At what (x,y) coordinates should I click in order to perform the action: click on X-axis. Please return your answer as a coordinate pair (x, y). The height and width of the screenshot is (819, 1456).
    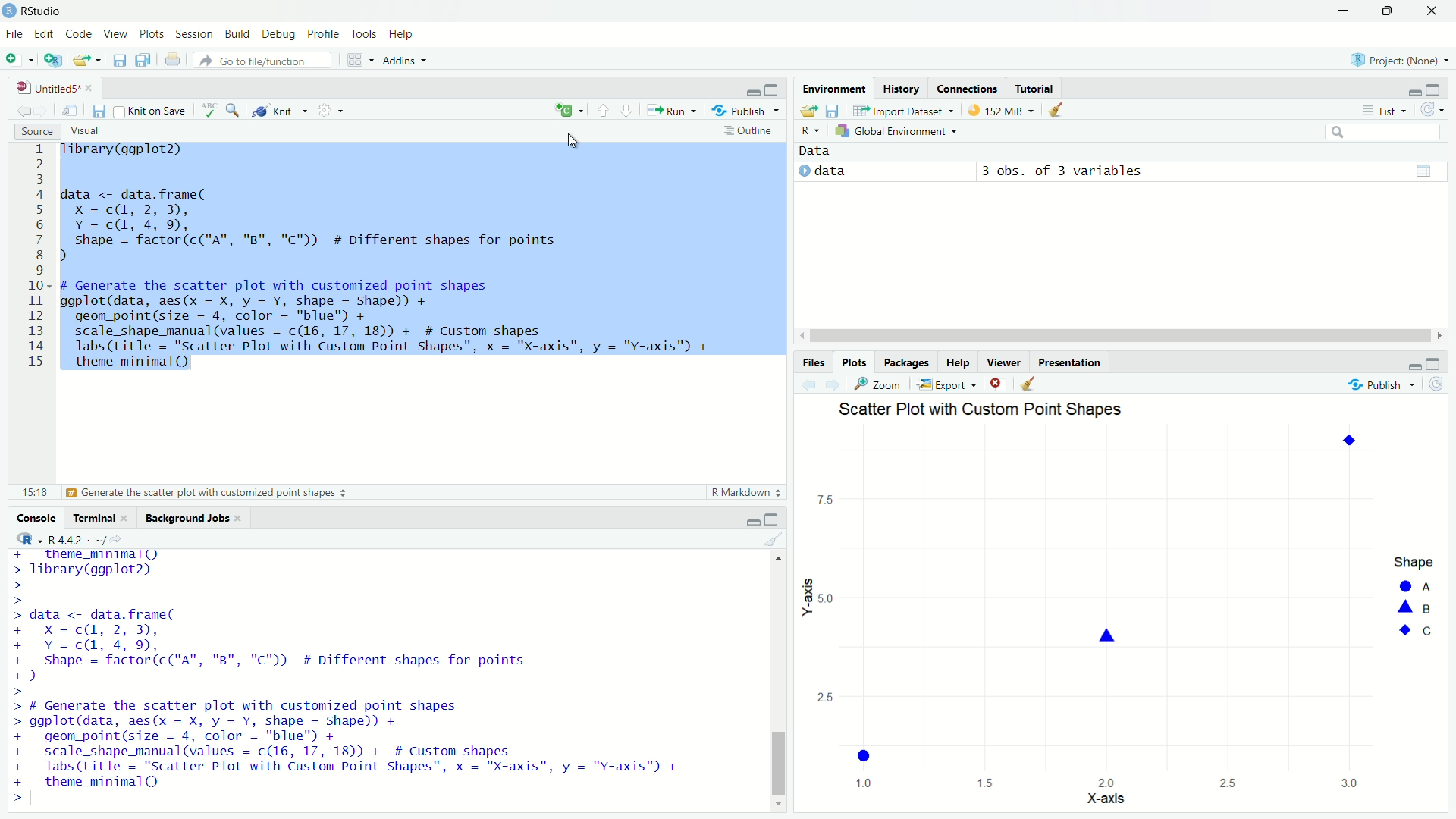
    Looking at the image, I should click on (1107, 799).